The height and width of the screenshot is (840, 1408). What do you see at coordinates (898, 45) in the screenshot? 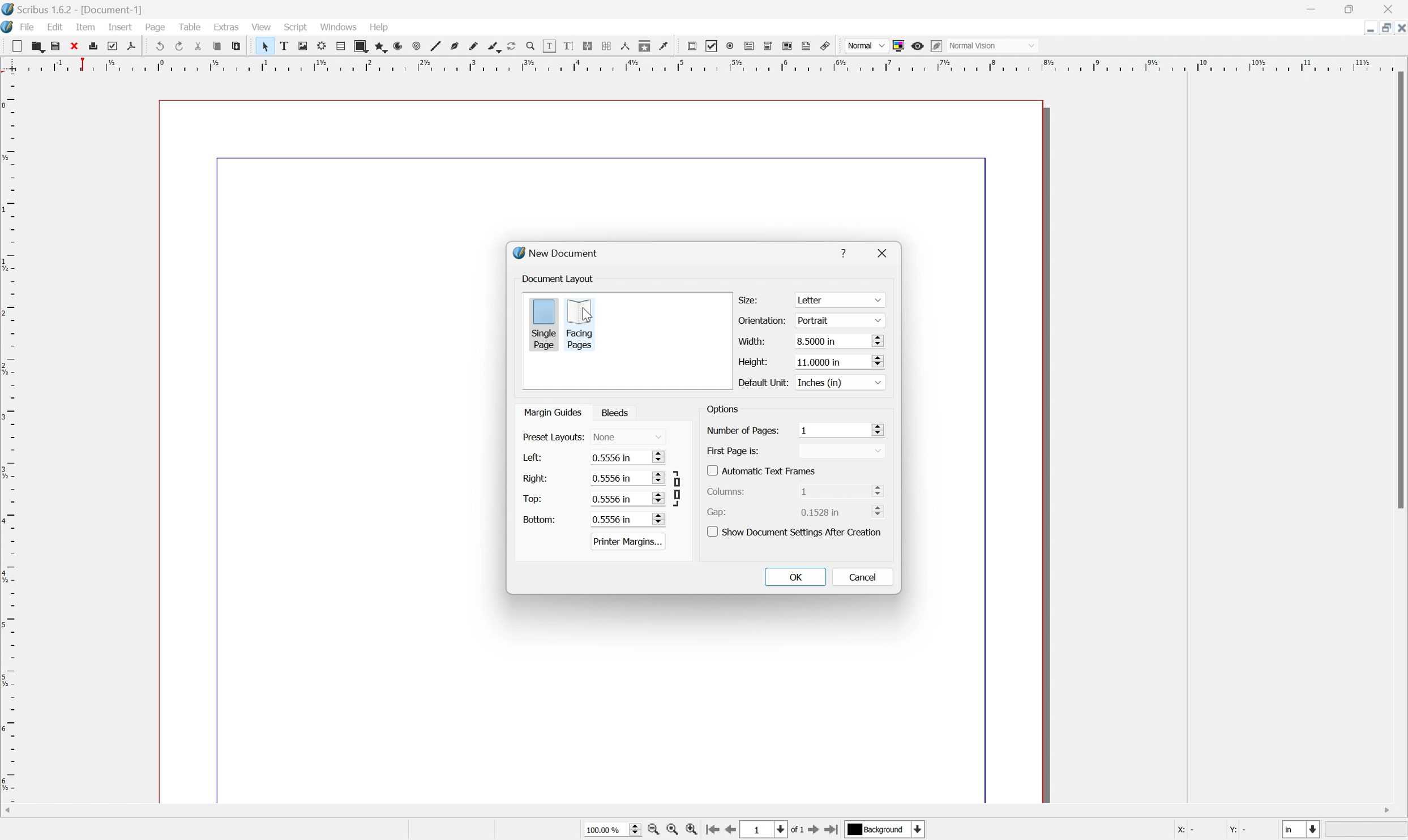
I see `Toggle color management system` at bounding box center [898, 45].